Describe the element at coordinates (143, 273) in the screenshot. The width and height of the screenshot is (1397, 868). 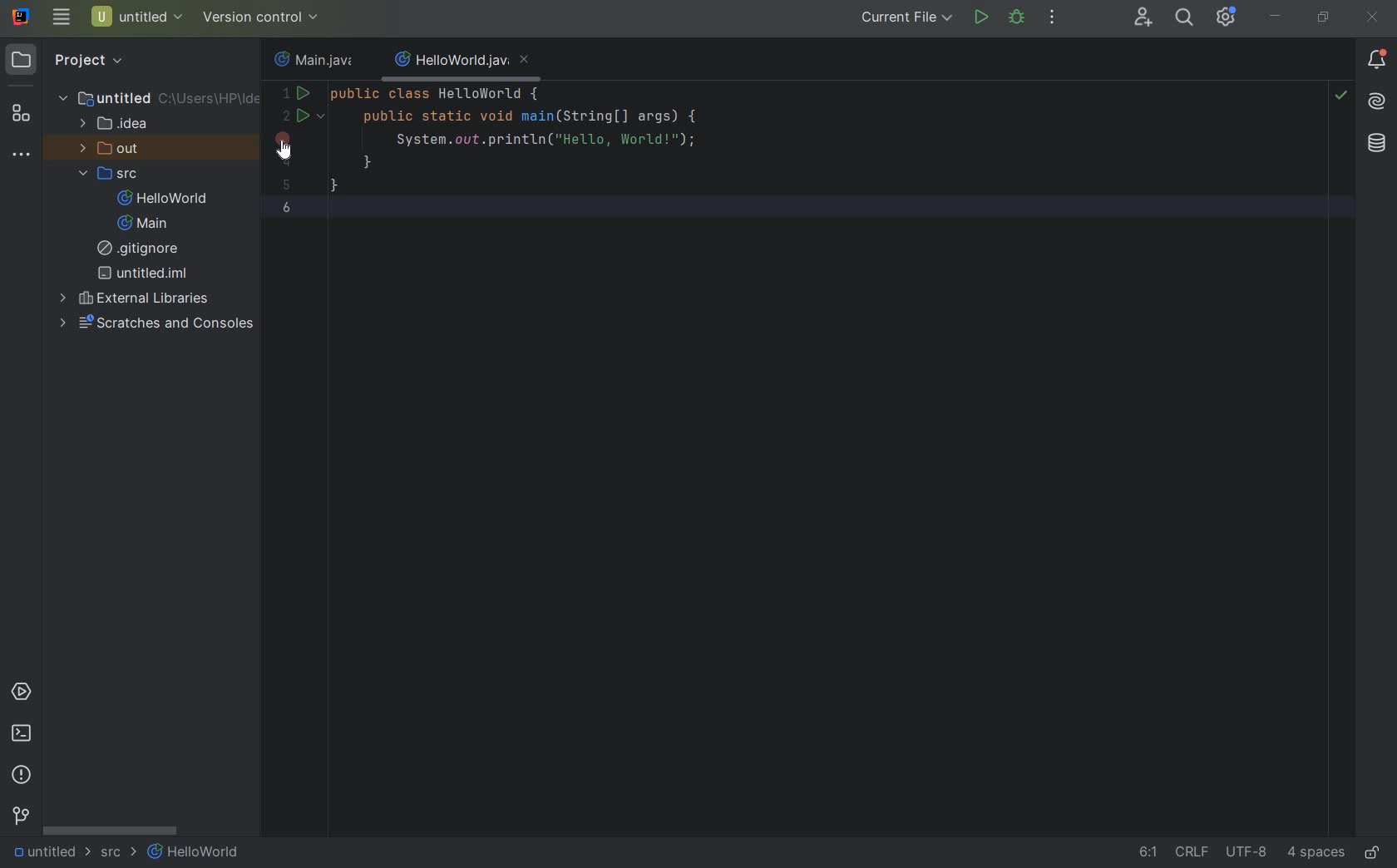
I see `untitled` at that location.